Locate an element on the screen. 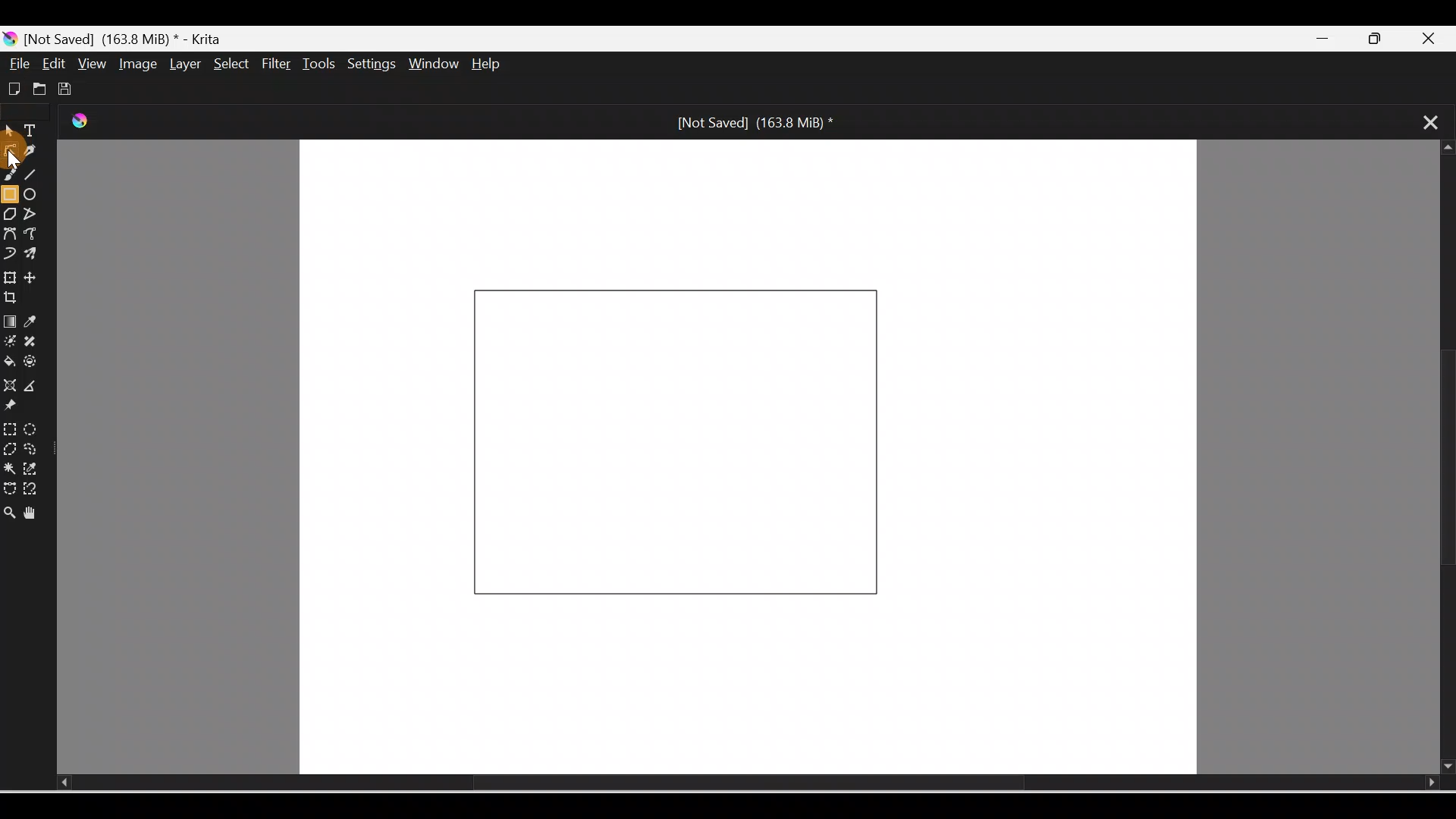 This screenshot has width=1456, height=819. Bezier curve selection tool is located at coordinates (9, 485).